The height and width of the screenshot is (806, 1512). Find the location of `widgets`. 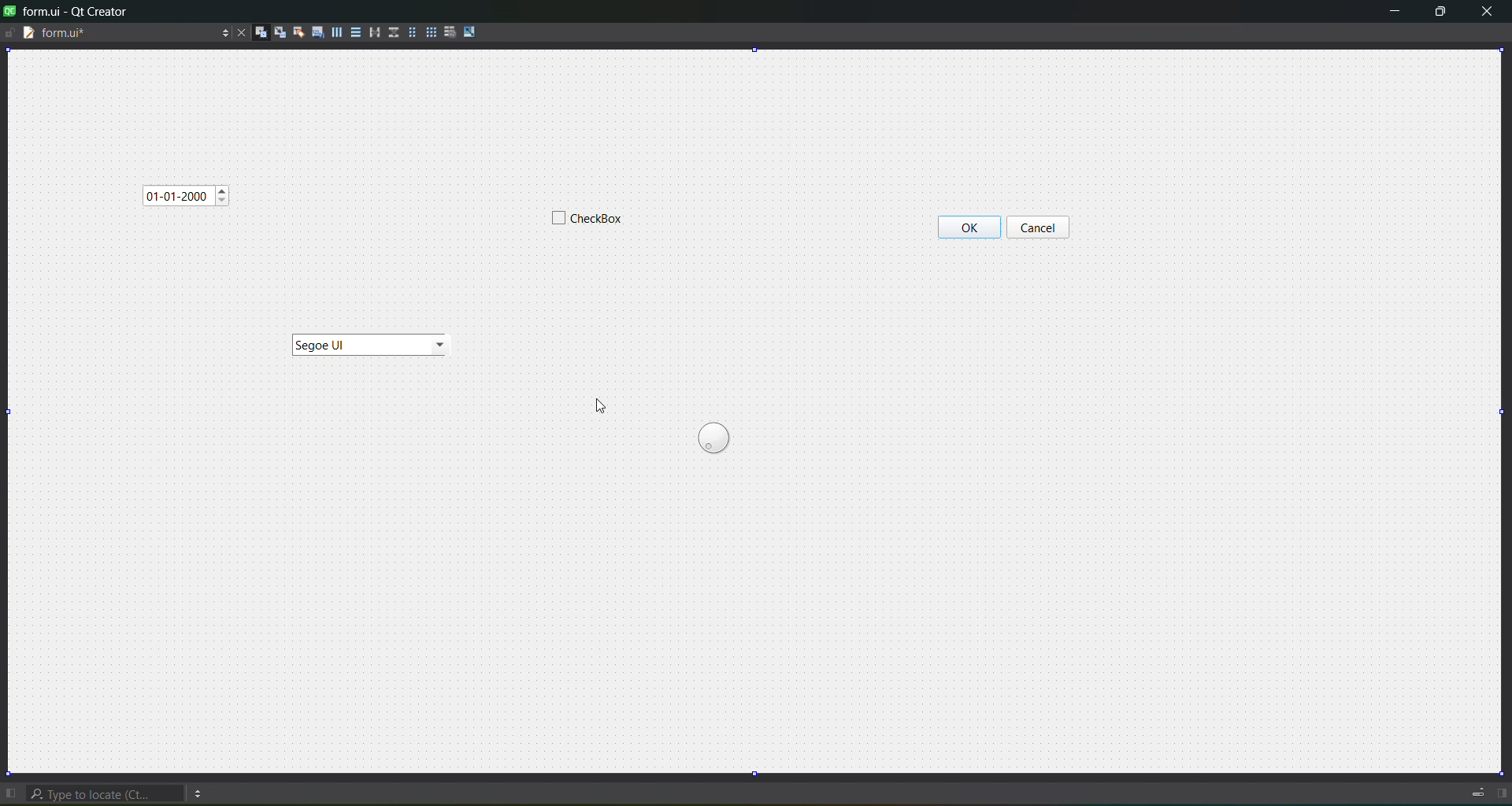

widgets is located at coordinates (258, 31).